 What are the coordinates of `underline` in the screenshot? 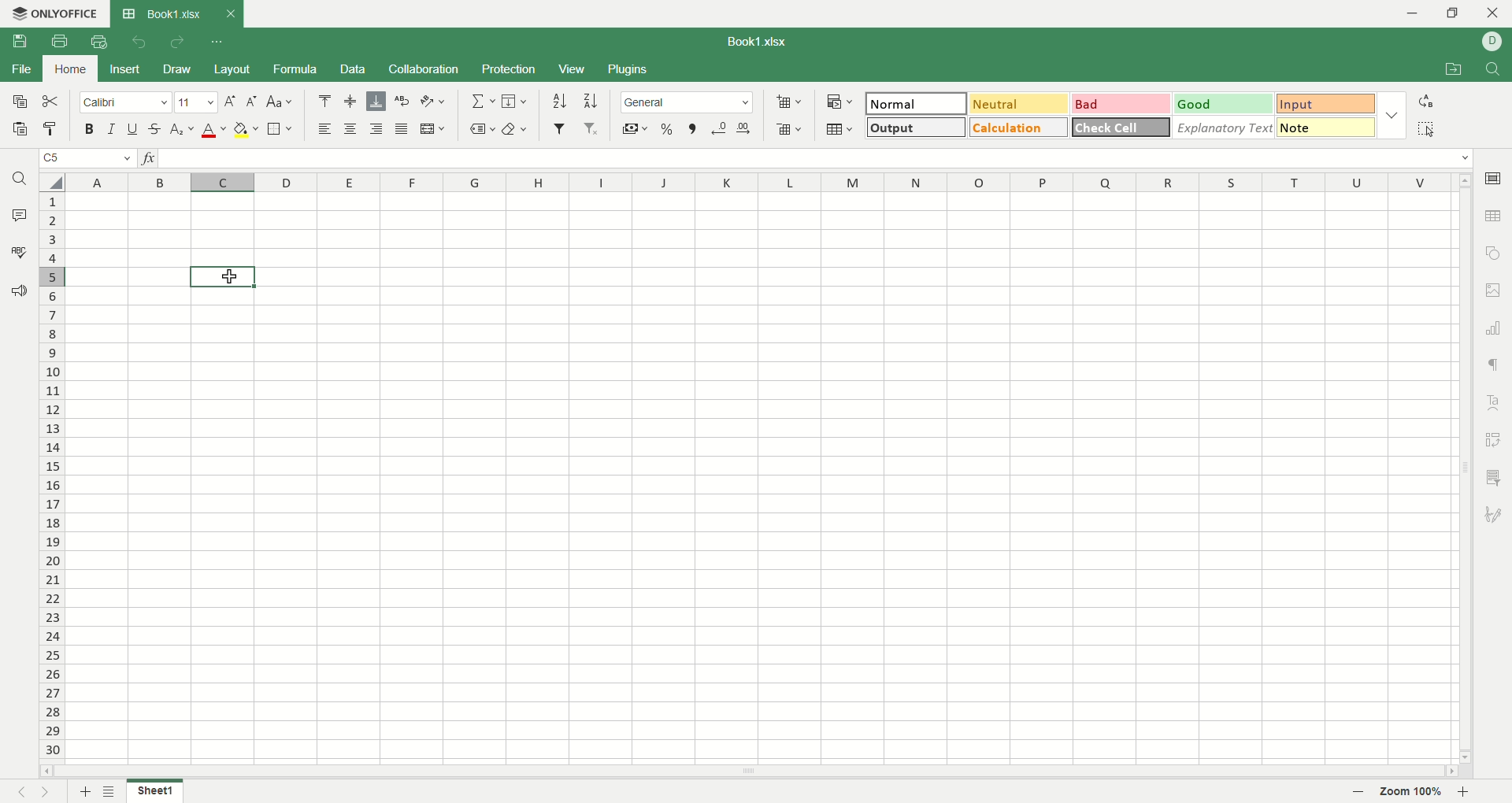 It's located at (132, 129).